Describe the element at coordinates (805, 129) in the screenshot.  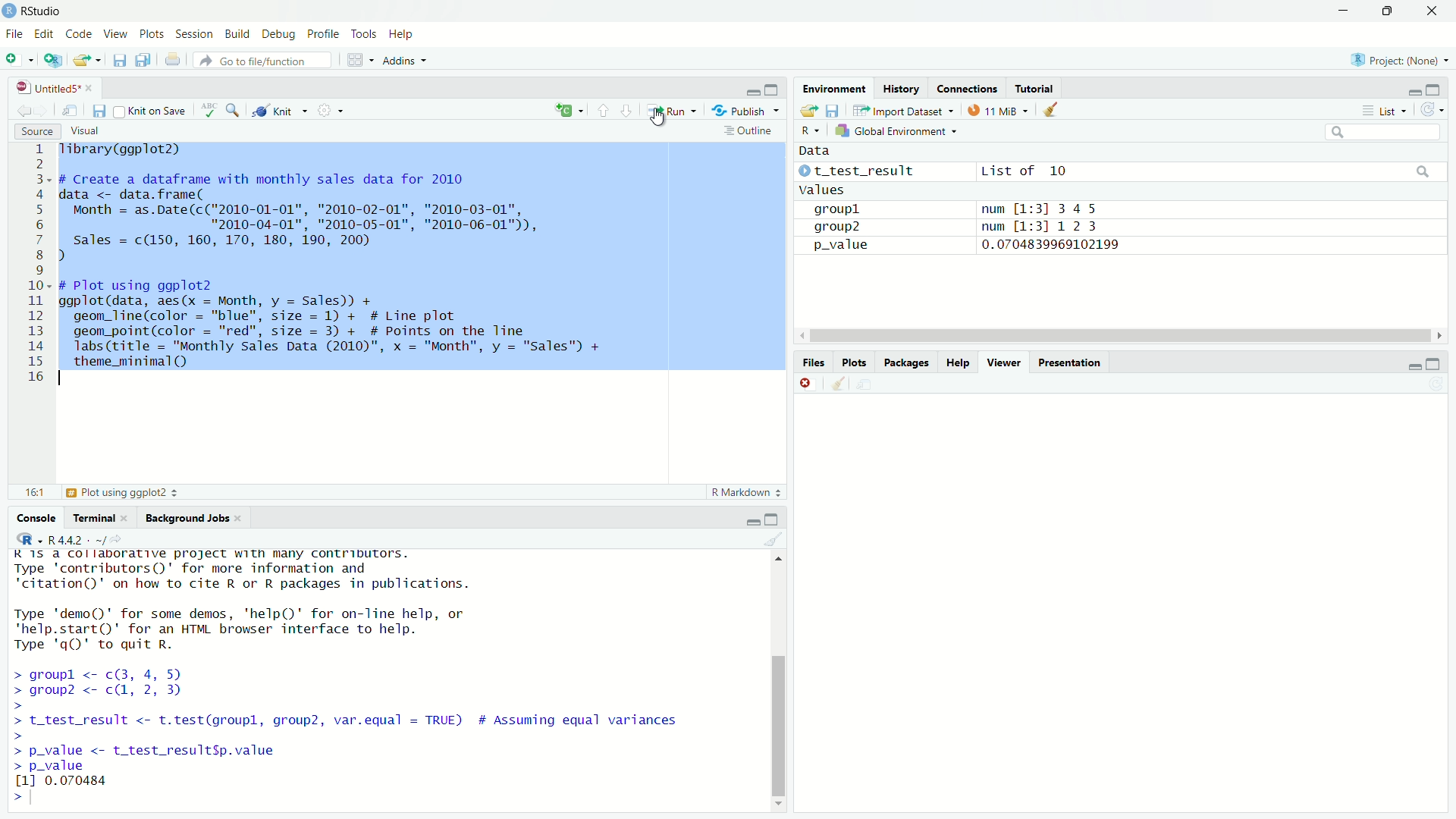
I see `R` at that location.